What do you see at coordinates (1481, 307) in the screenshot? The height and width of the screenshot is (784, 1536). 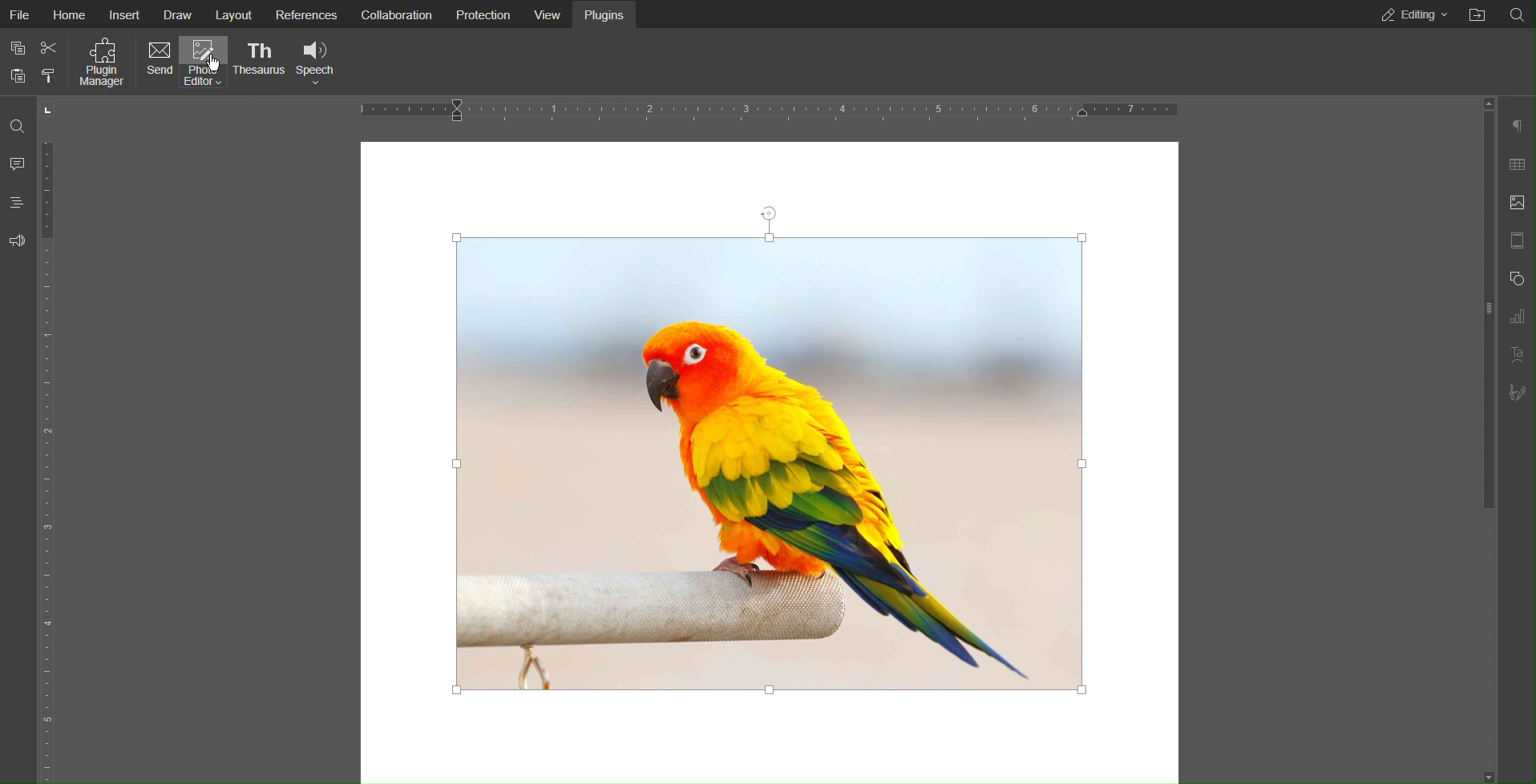 I see `slider` at bounding box center [1481, 307].